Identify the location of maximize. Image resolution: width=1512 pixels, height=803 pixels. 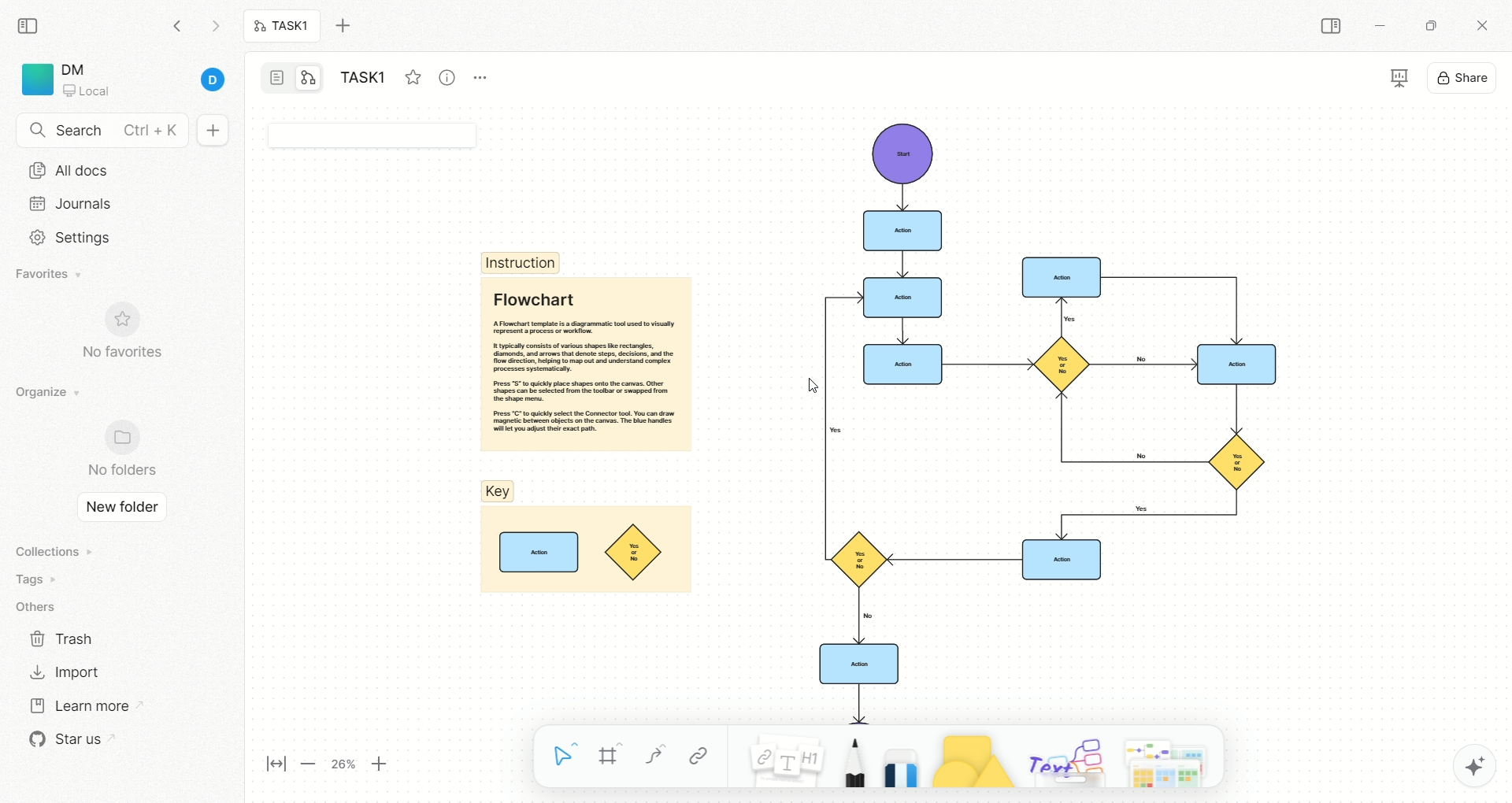
(1426, 24).